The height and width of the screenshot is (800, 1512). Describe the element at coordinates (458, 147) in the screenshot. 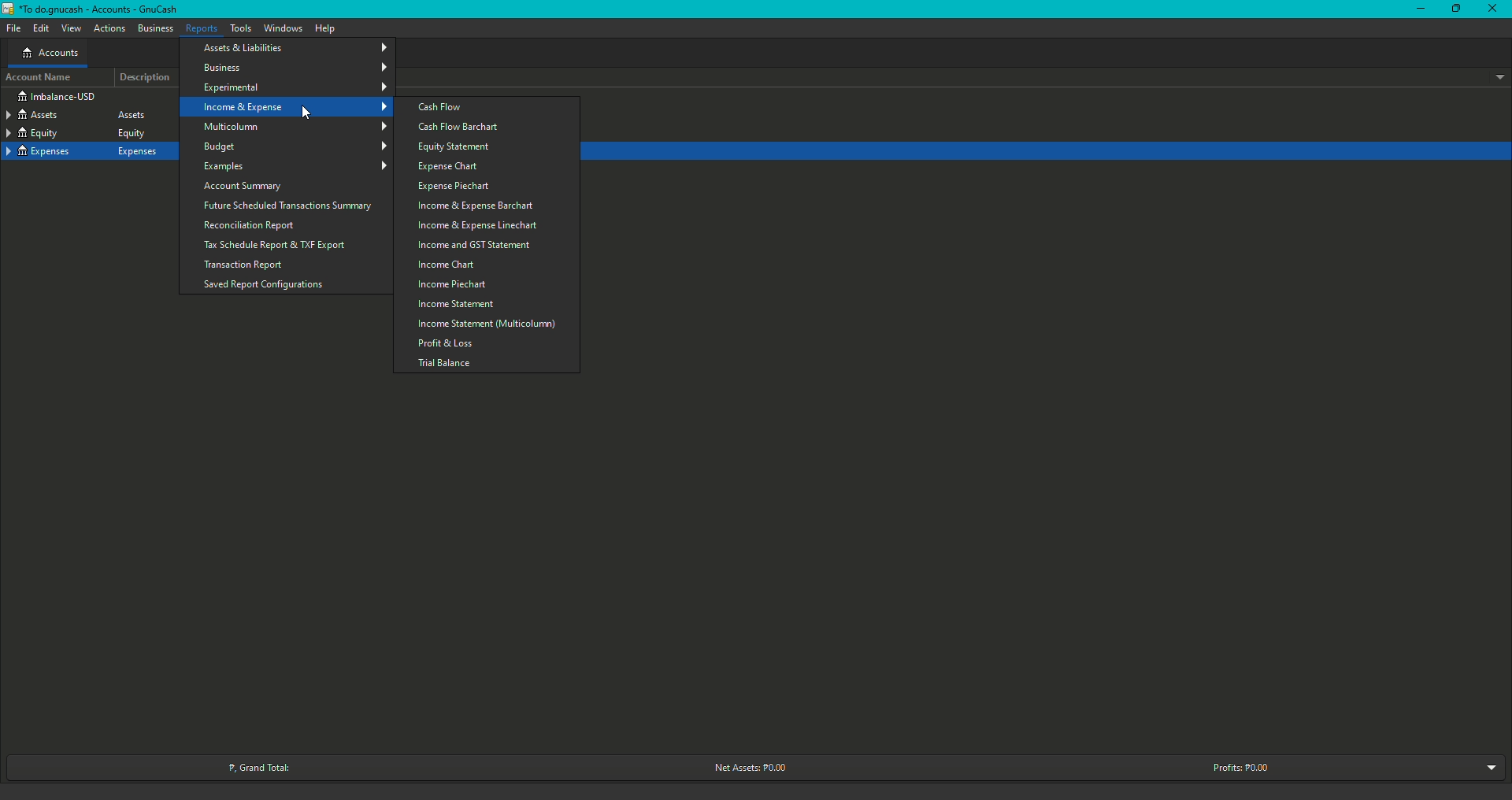

I see `Equity Statement` at that location.